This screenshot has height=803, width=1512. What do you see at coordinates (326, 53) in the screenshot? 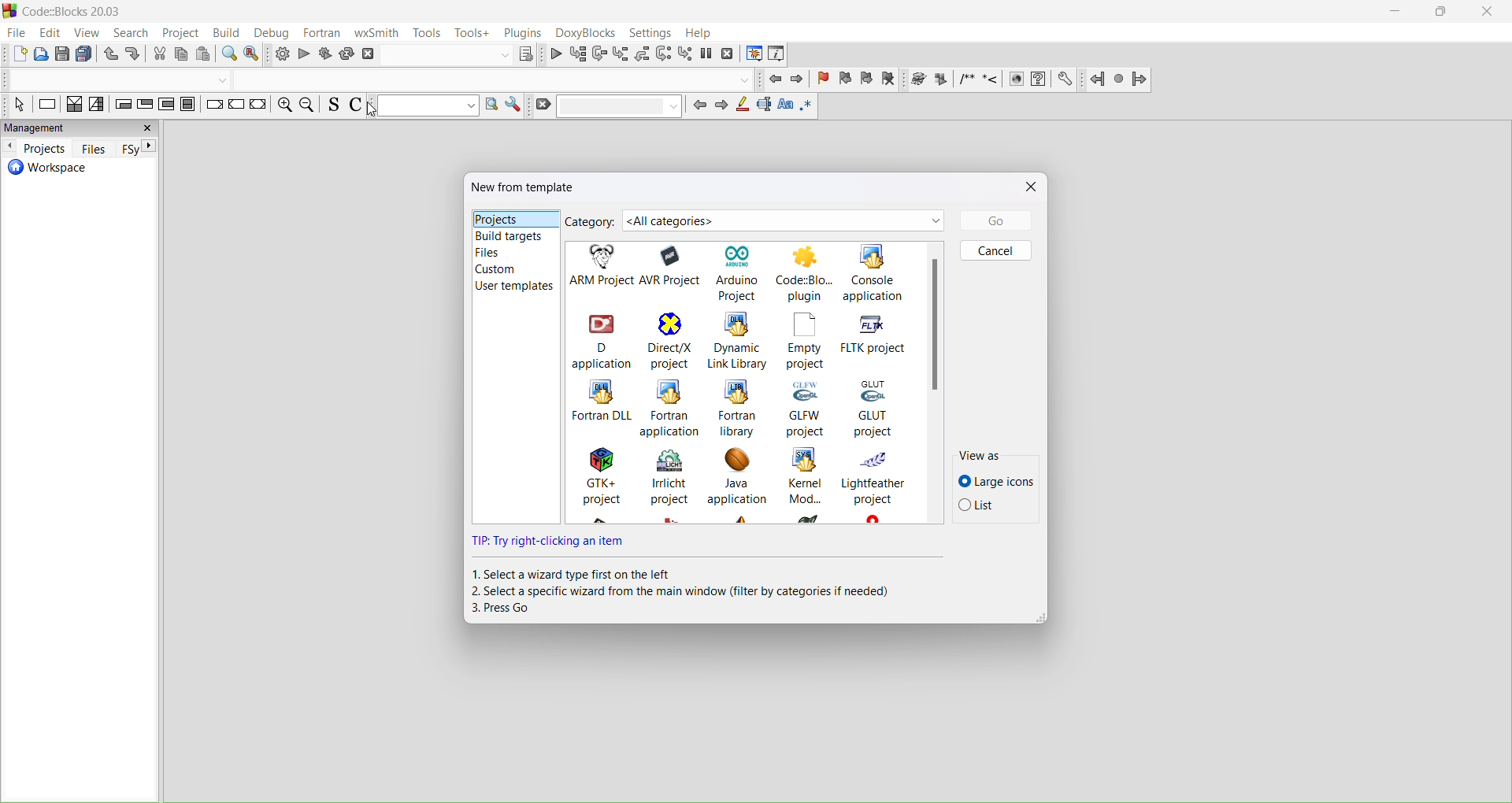
I see `build and run` at bounding box center [326, 53].